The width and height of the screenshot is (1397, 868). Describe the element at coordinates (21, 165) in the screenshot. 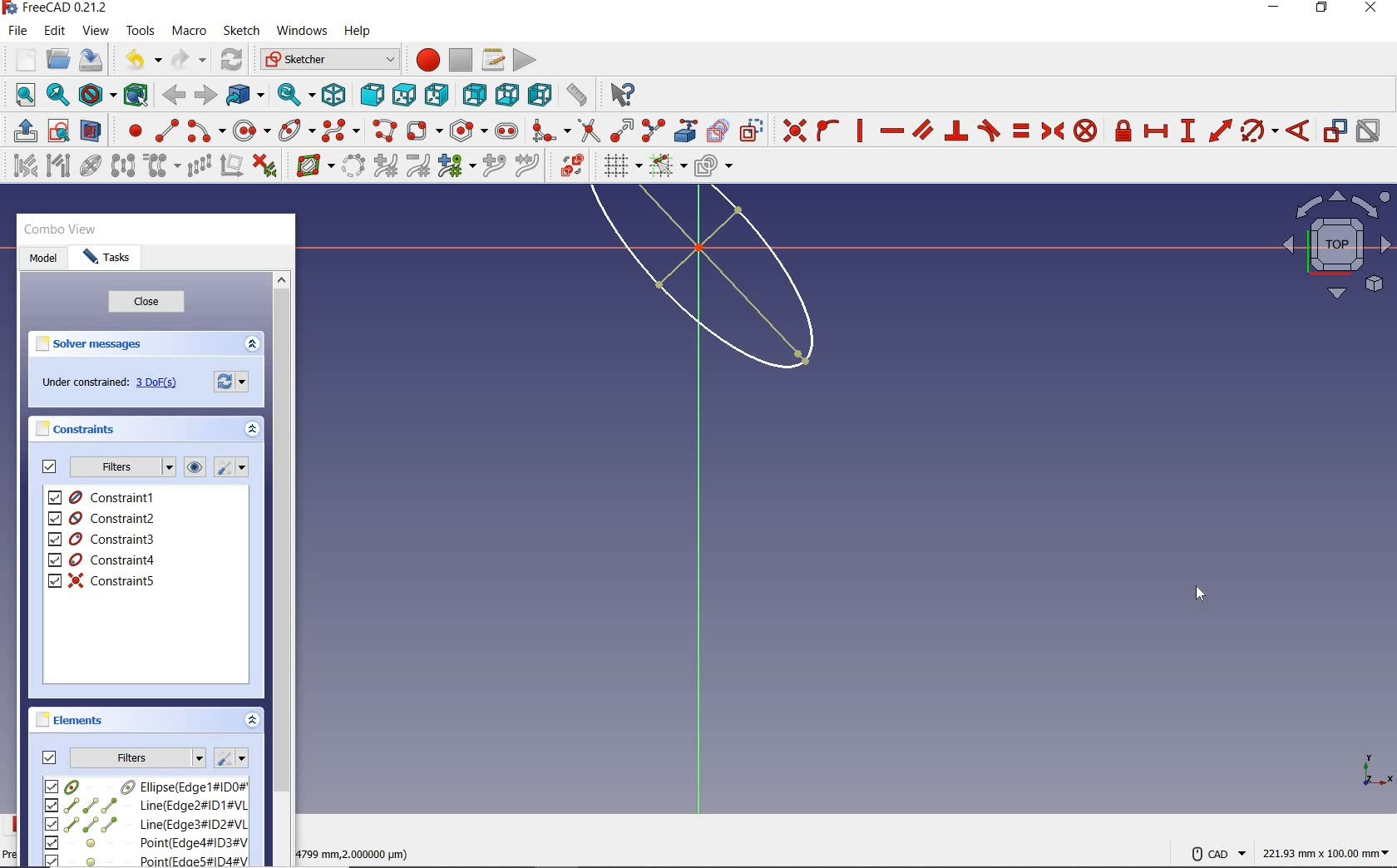

I see `select associated constraint` at that location.